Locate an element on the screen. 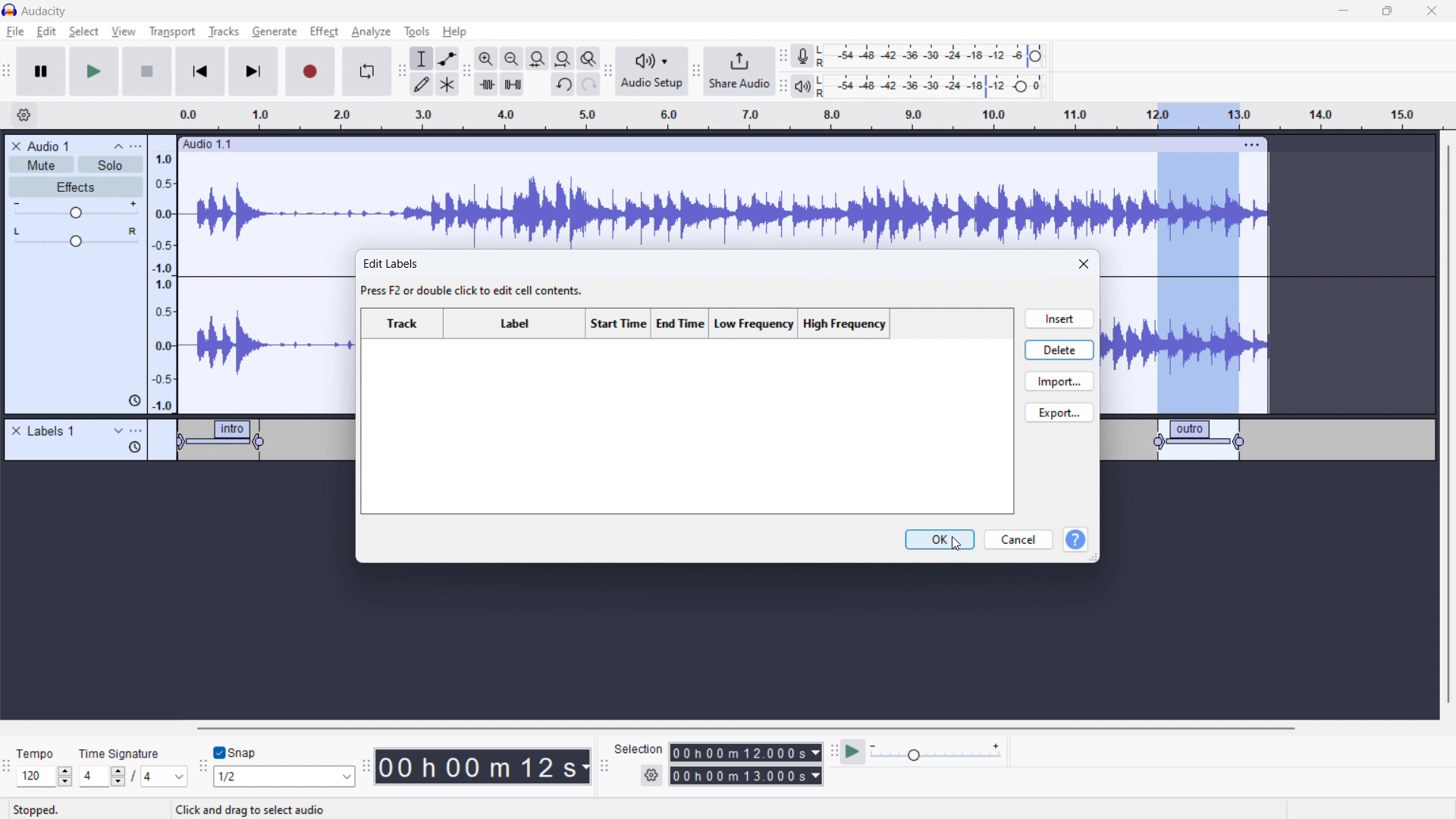 The height and width of the screenshot is (819, 1456). select snapping is located at coordinates (284, 776).